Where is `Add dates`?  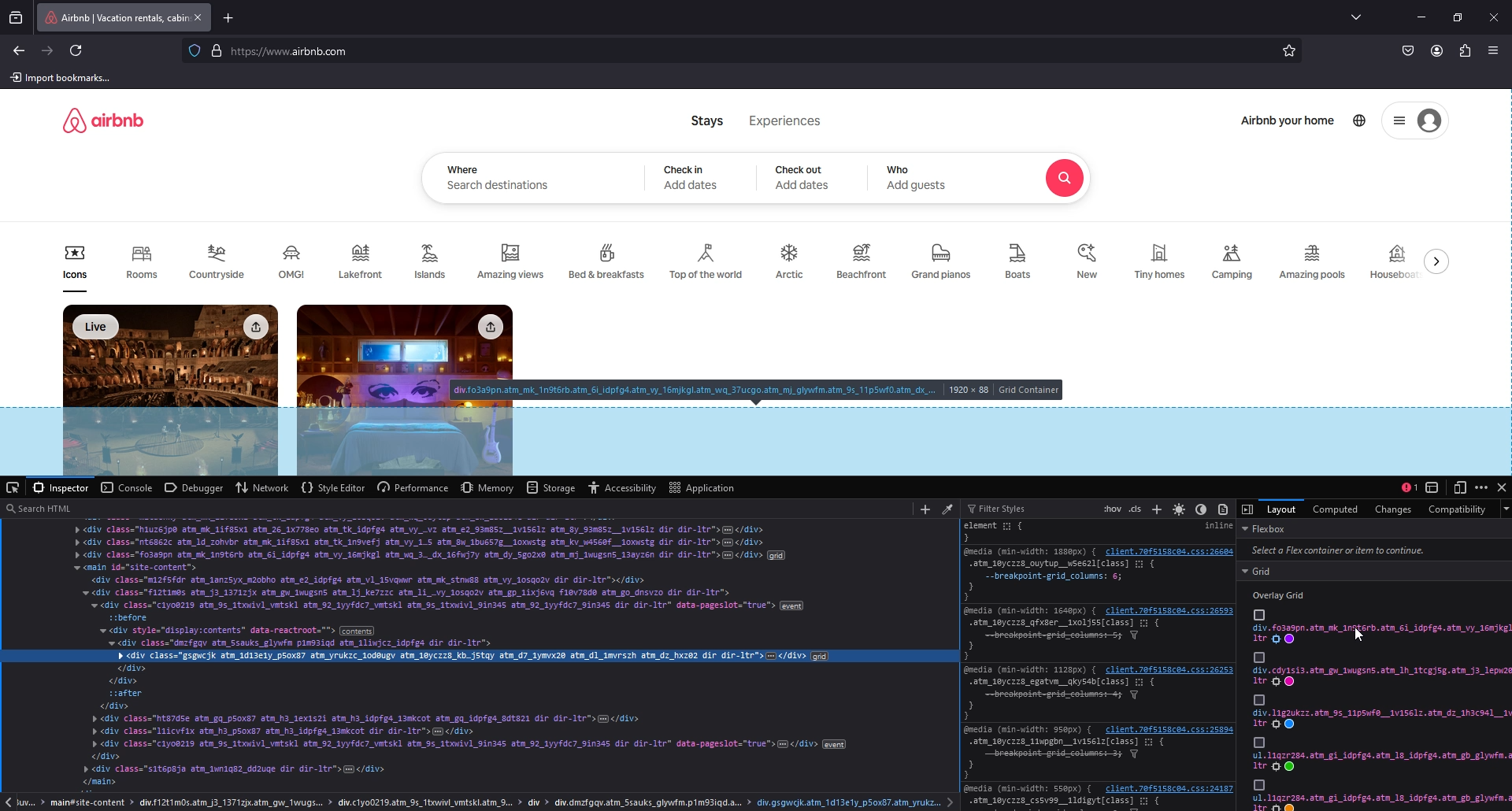 Add dates is located at coordinates (803, 186).